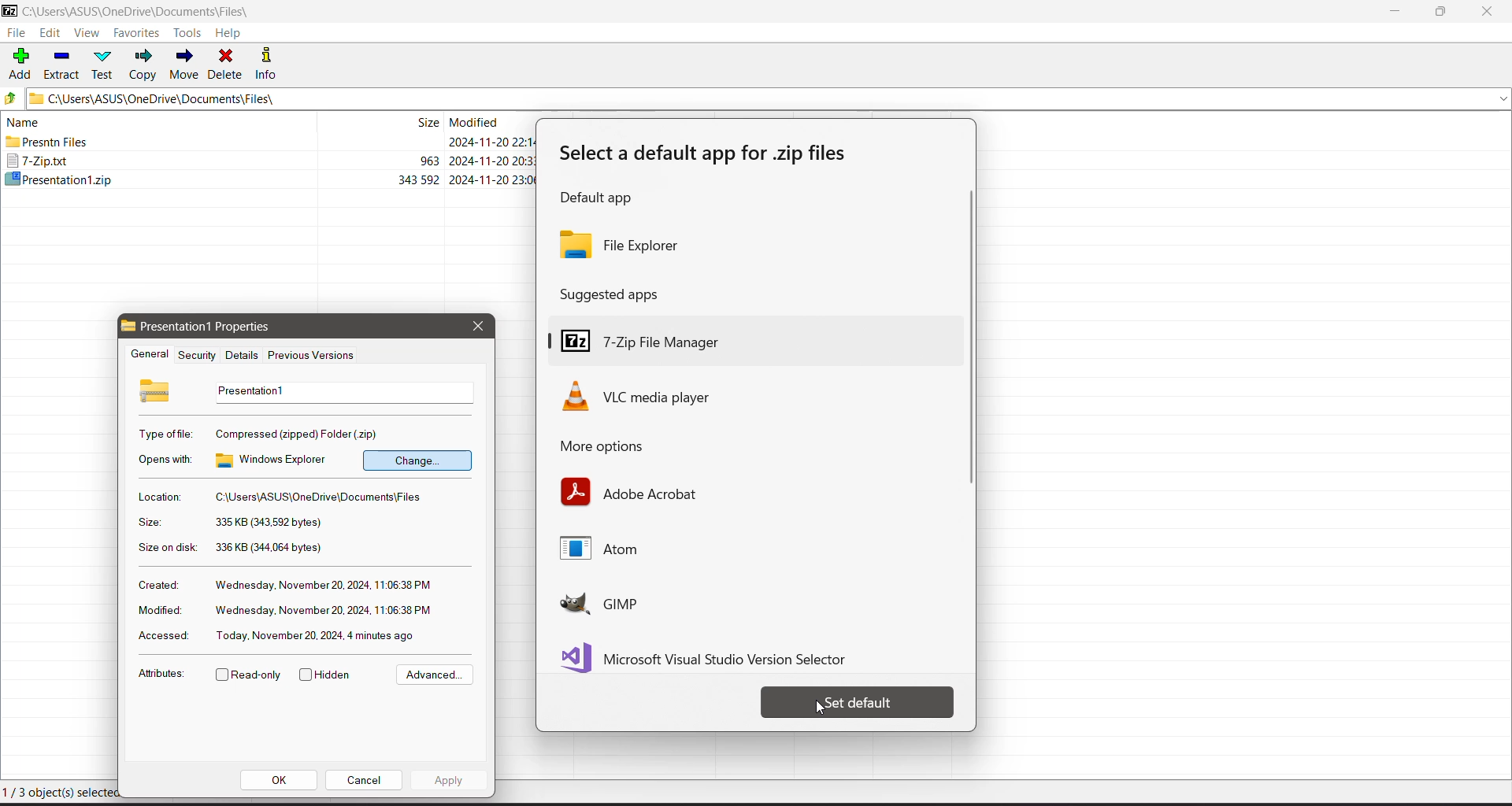 This screenshot has height=806, width=1512. What do you see at coordinates (1490, 12) in the screenshot?
I see `Close` at bounding box center [1490, 12].